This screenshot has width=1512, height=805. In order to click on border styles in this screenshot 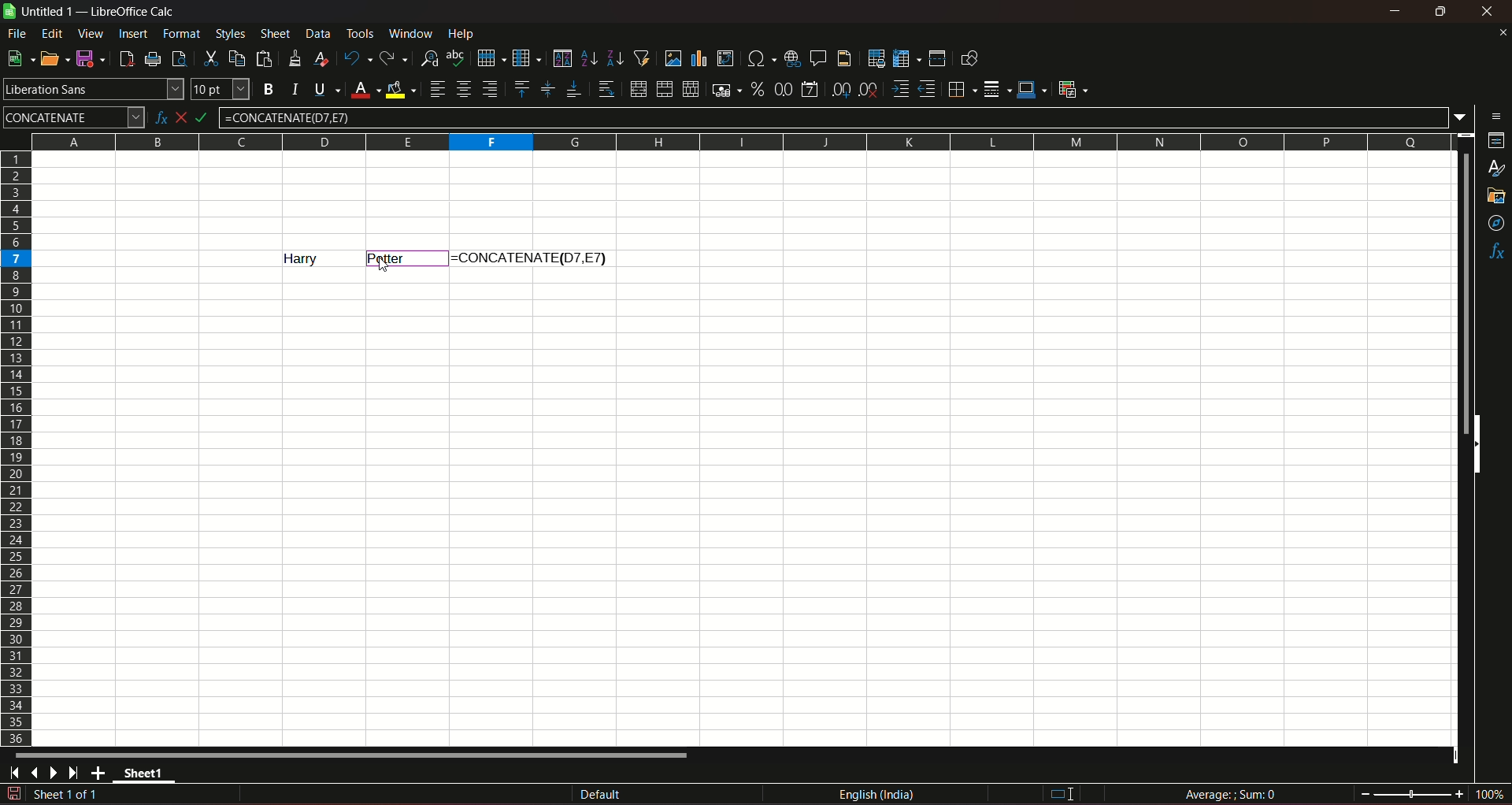, I will do `click(995, 90)`.